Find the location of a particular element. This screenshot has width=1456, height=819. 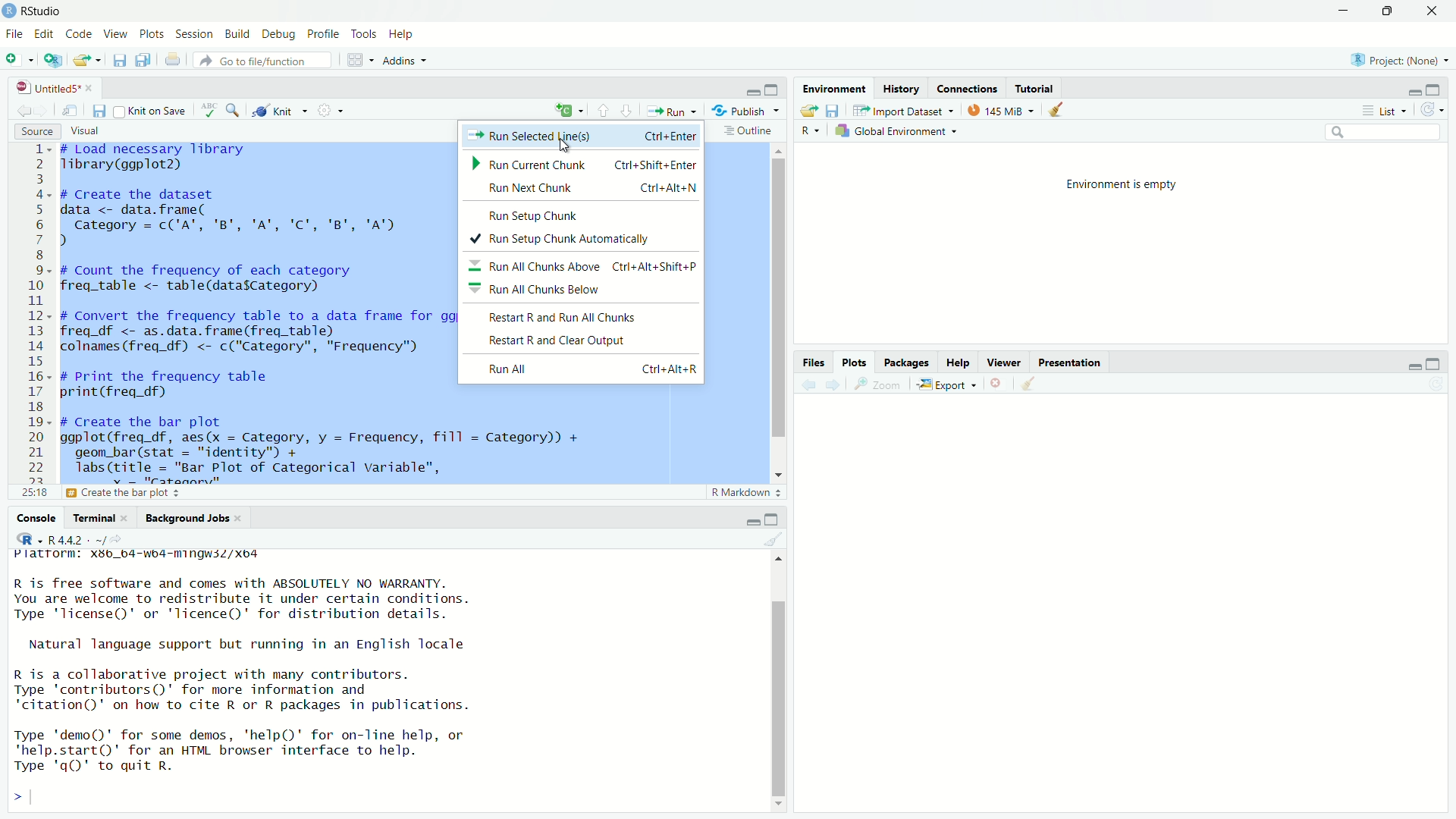

visual is located at coordinates (84, 131).